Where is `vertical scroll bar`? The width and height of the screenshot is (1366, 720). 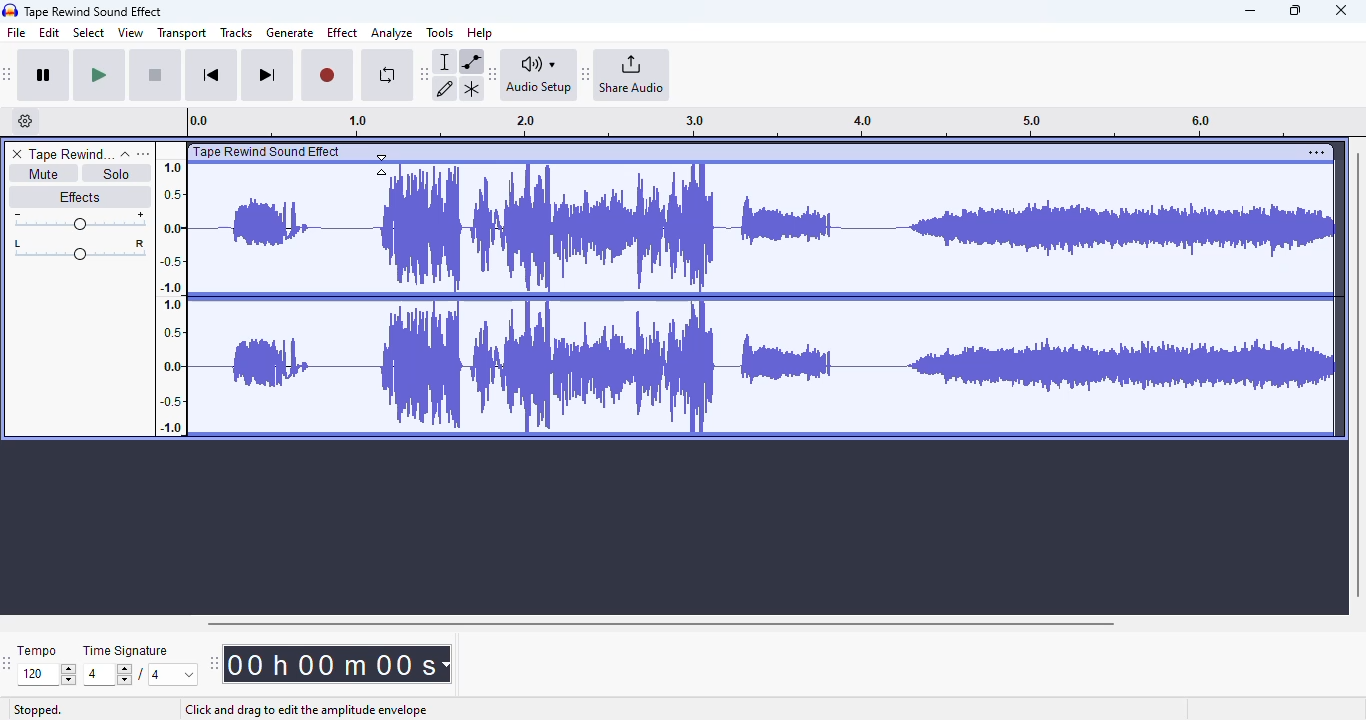
vertical scroll bar is located at coordinates (1357, 372).